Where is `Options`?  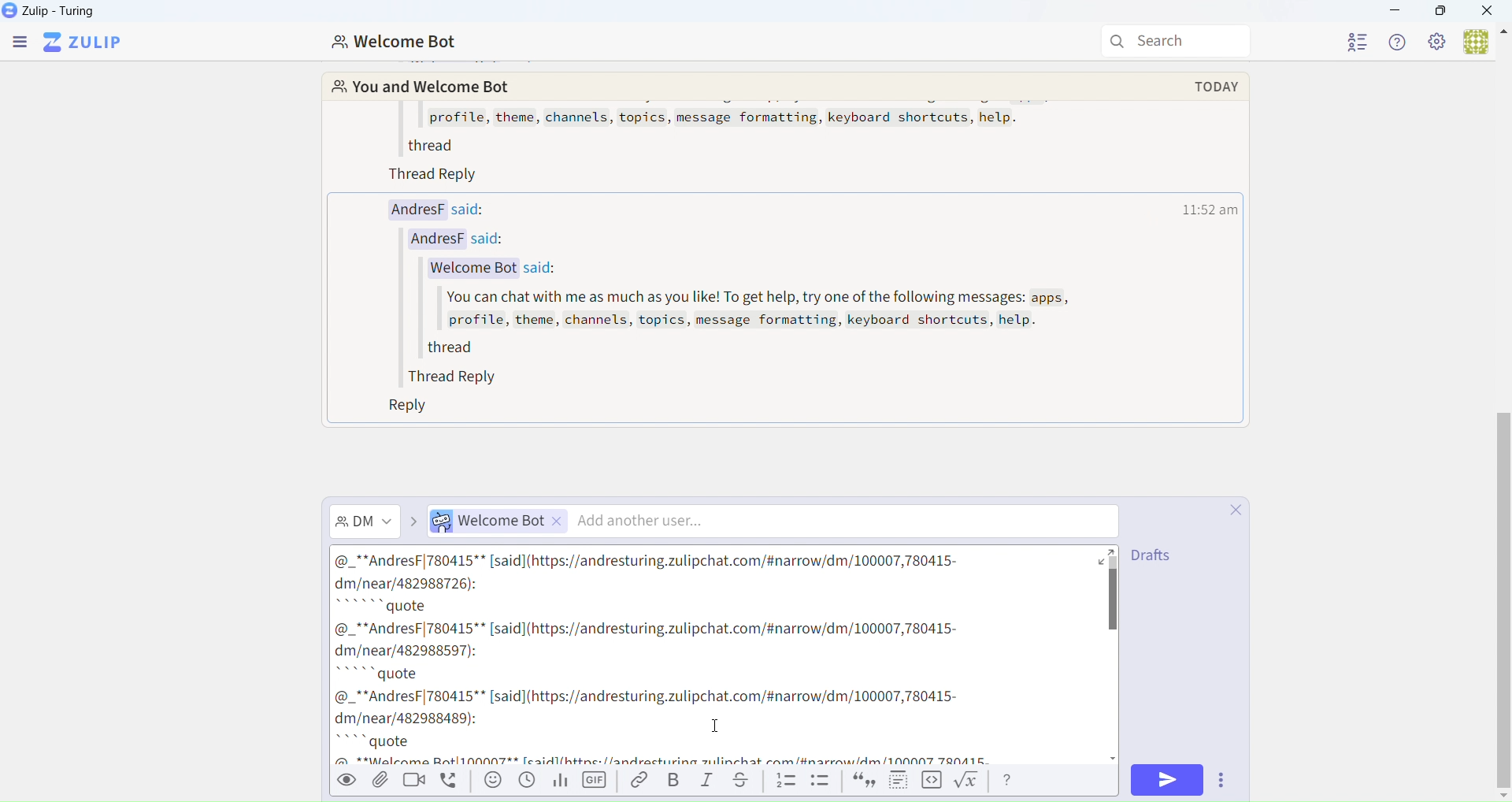 Options is located at coordinates (1221, 779).